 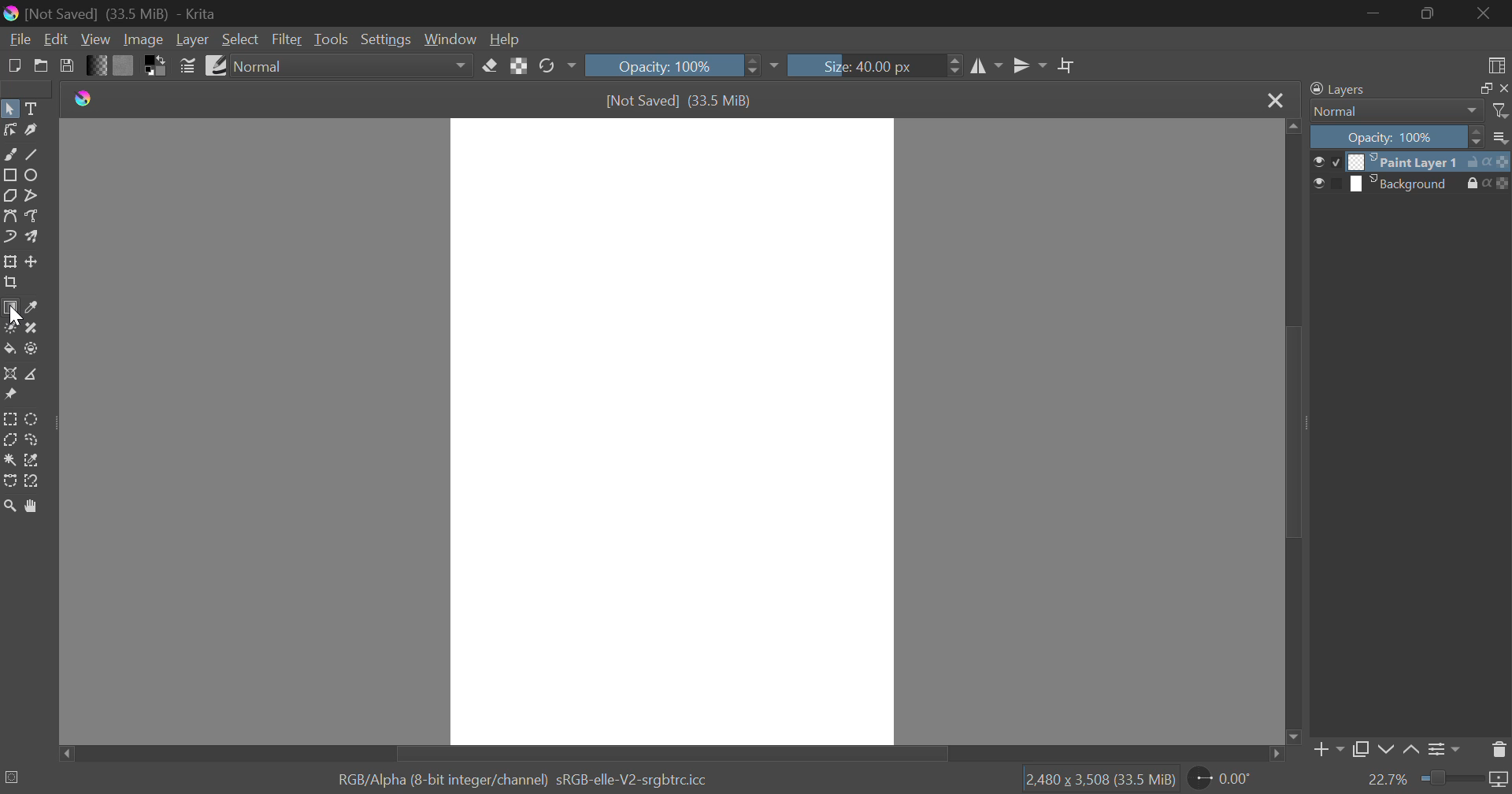 I want to click on Fill, so click(x=9, y=349).